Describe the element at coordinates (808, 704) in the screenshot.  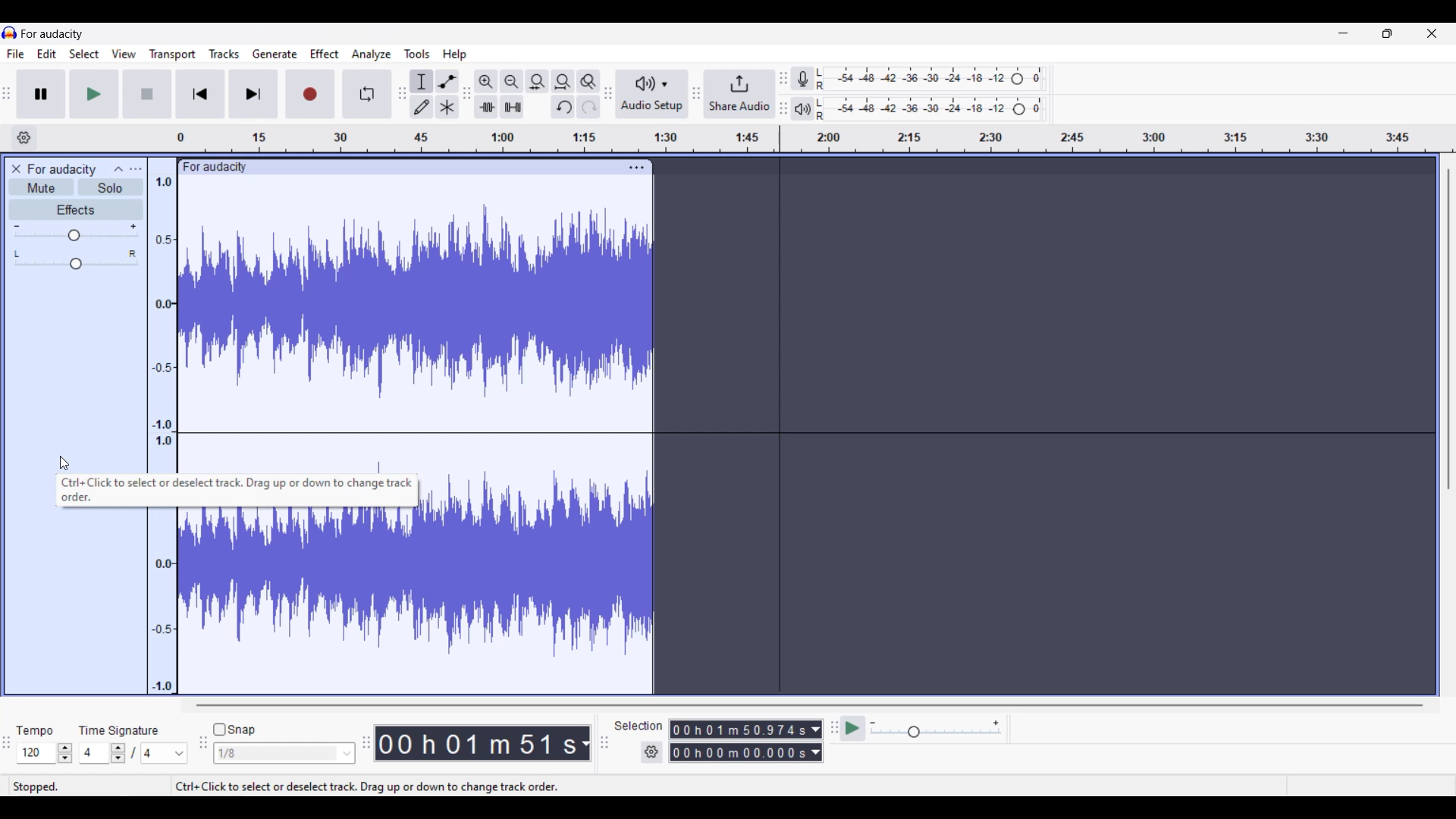
I see `Horizontal slide bar` at that location.